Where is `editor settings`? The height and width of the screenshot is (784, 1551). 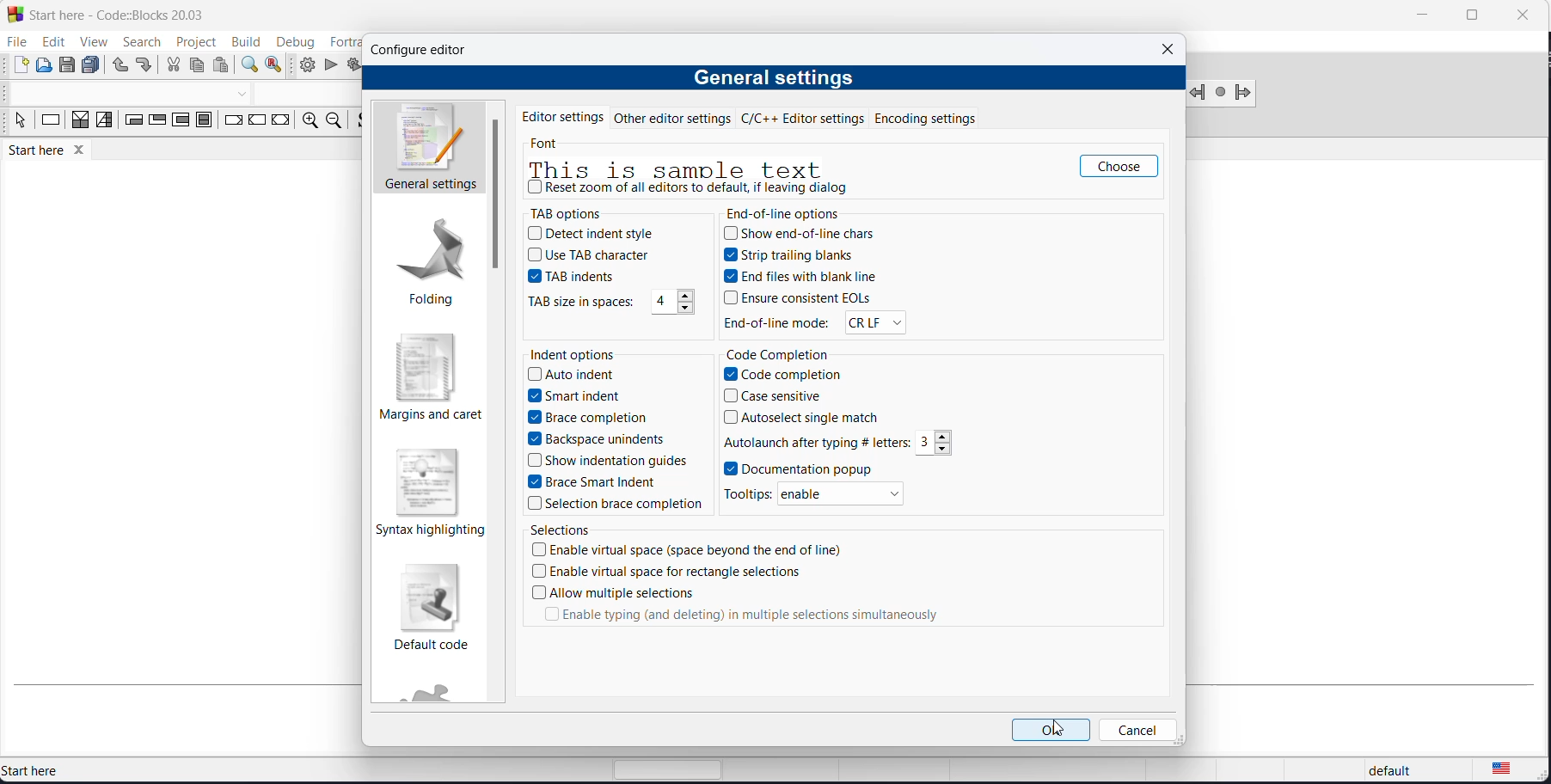
editor settings is located at coordinates (563, 115).